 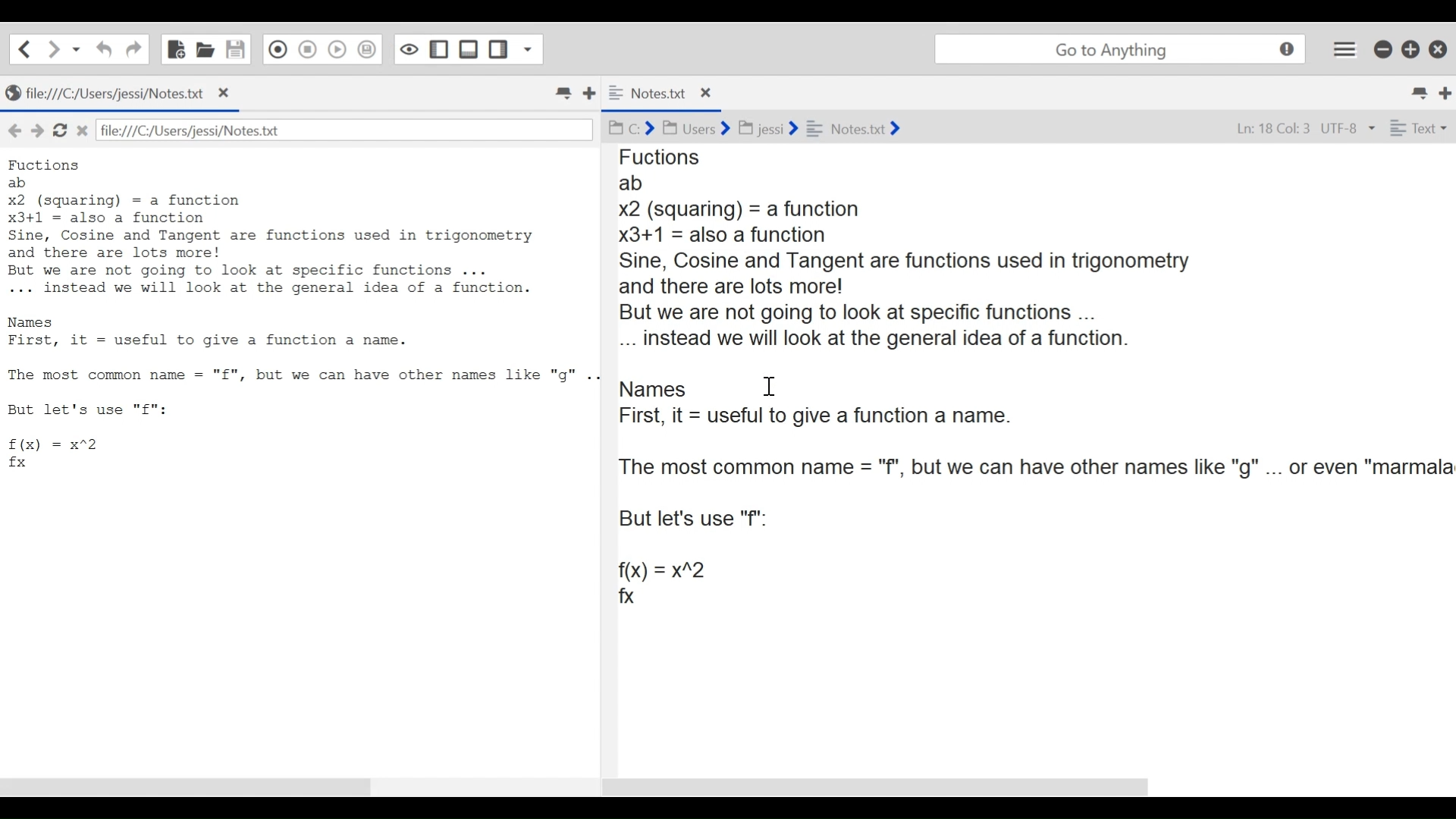 What do you see at coordinates (1382, 50) in the screenshot?
I see `minimize` at bounding box center [1382, 50].